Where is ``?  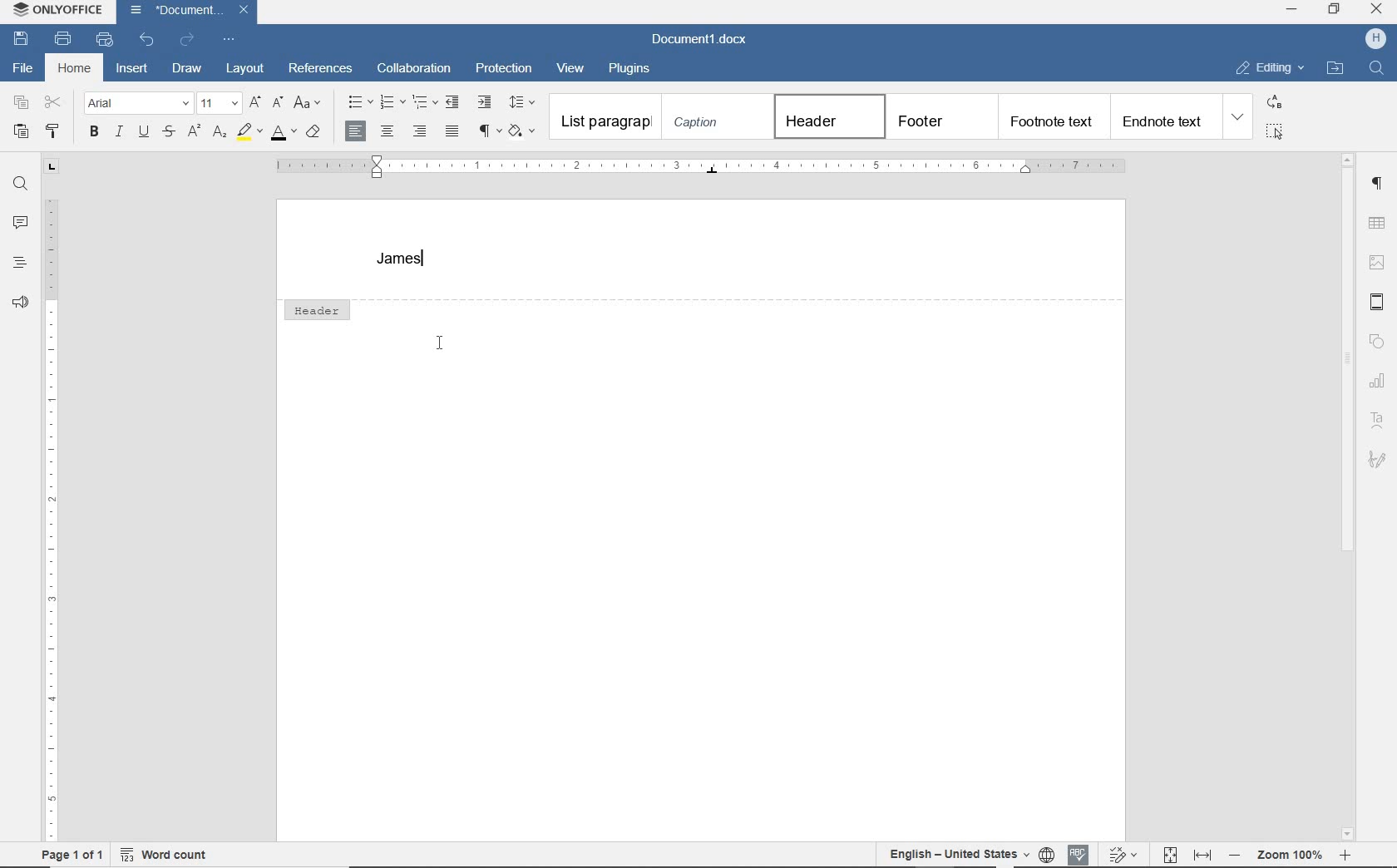
 is located at coordinates (1378, 460).